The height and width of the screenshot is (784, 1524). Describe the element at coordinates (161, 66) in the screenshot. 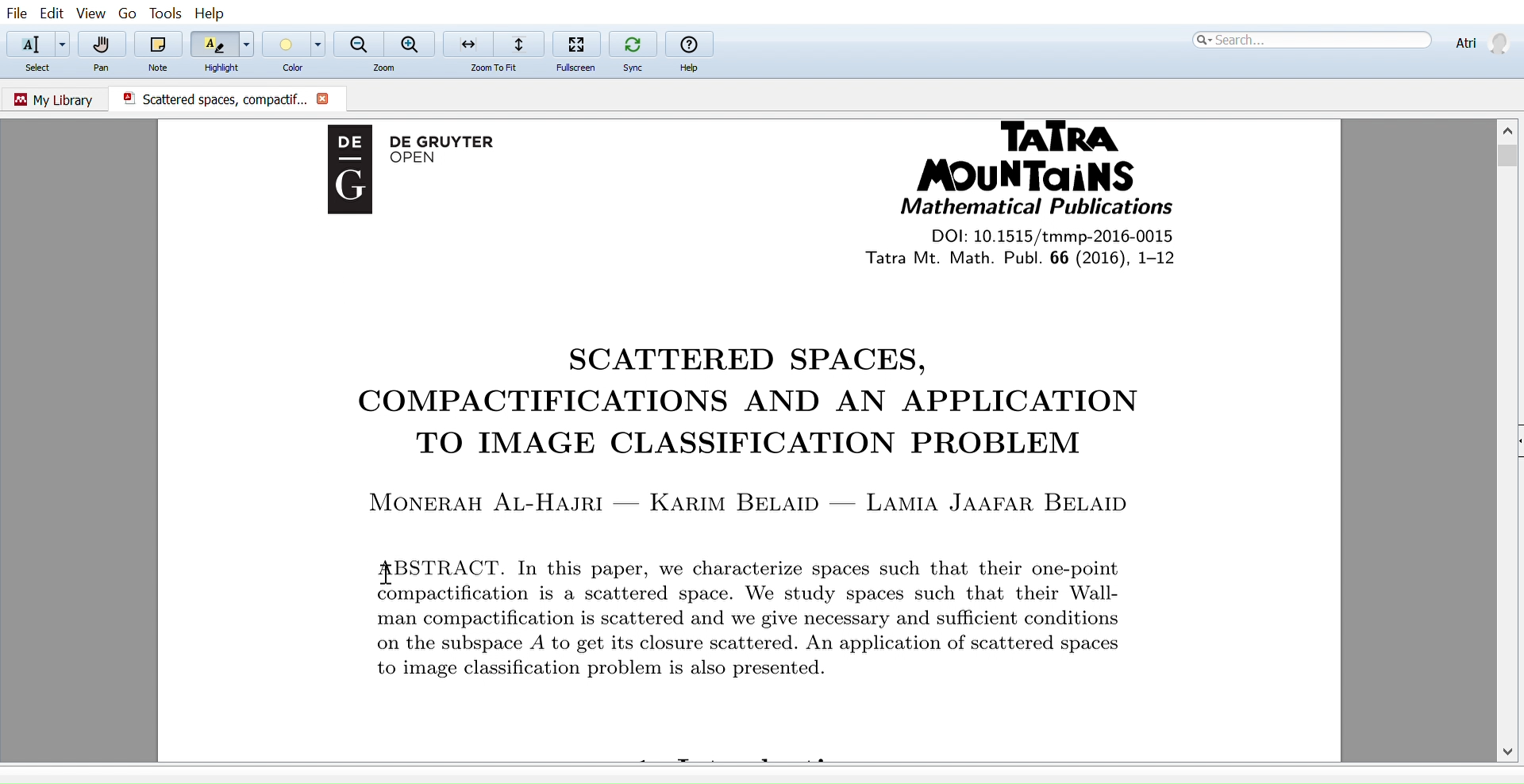

I see `Note` at that location.